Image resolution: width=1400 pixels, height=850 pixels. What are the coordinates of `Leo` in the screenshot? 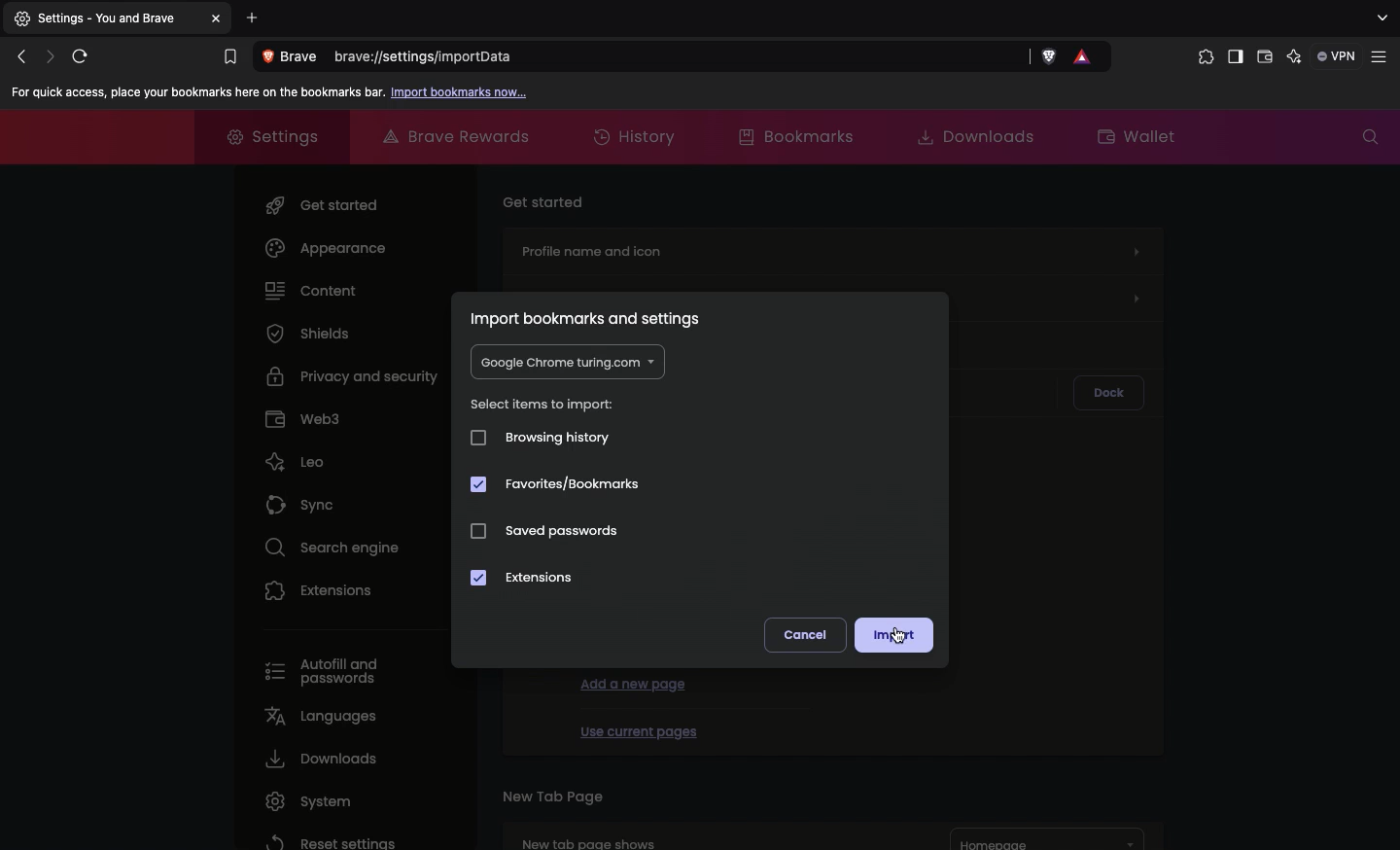 It's located at (295, 457).